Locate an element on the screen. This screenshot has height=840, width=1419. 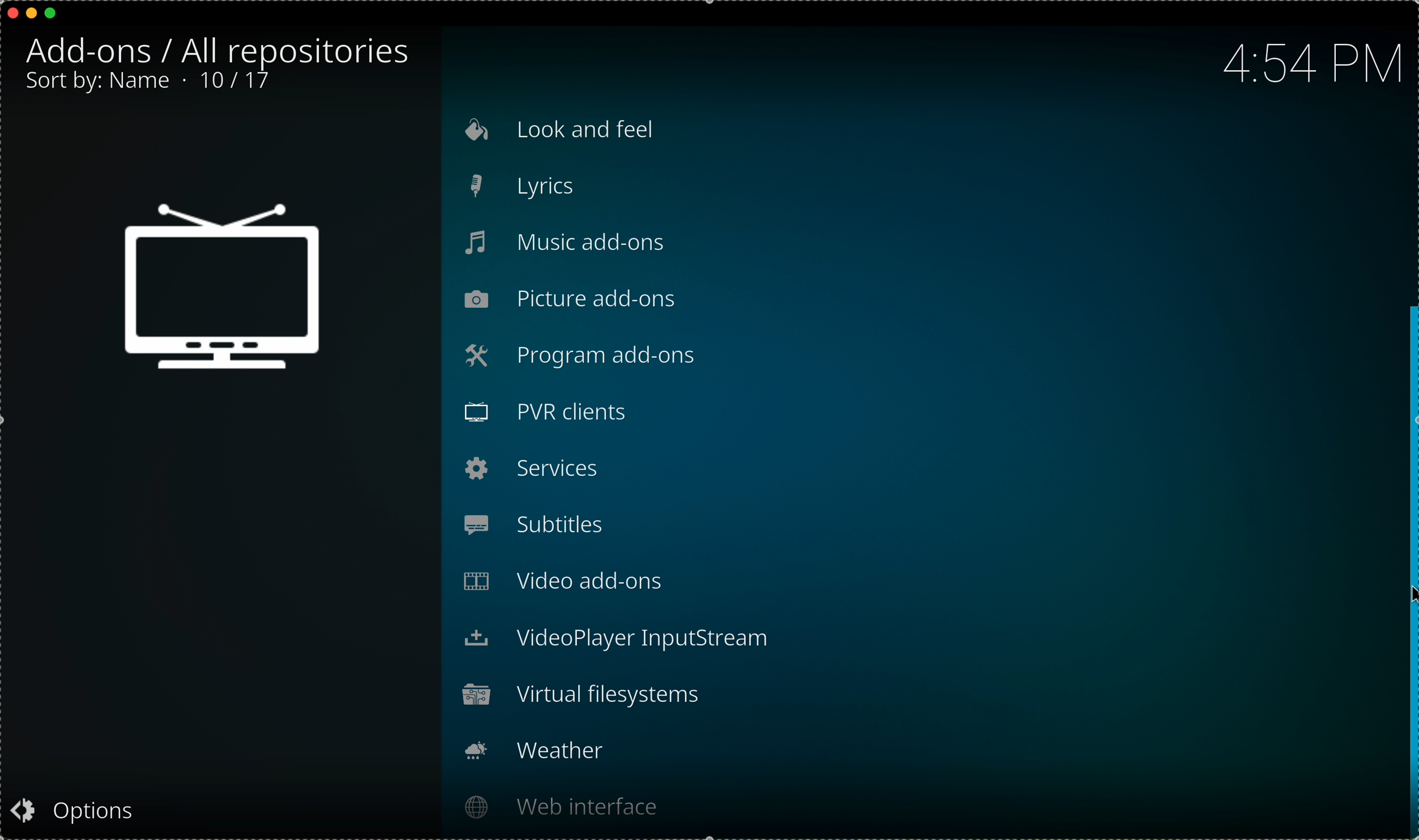
add-ons is located at coordinates (97, 53).